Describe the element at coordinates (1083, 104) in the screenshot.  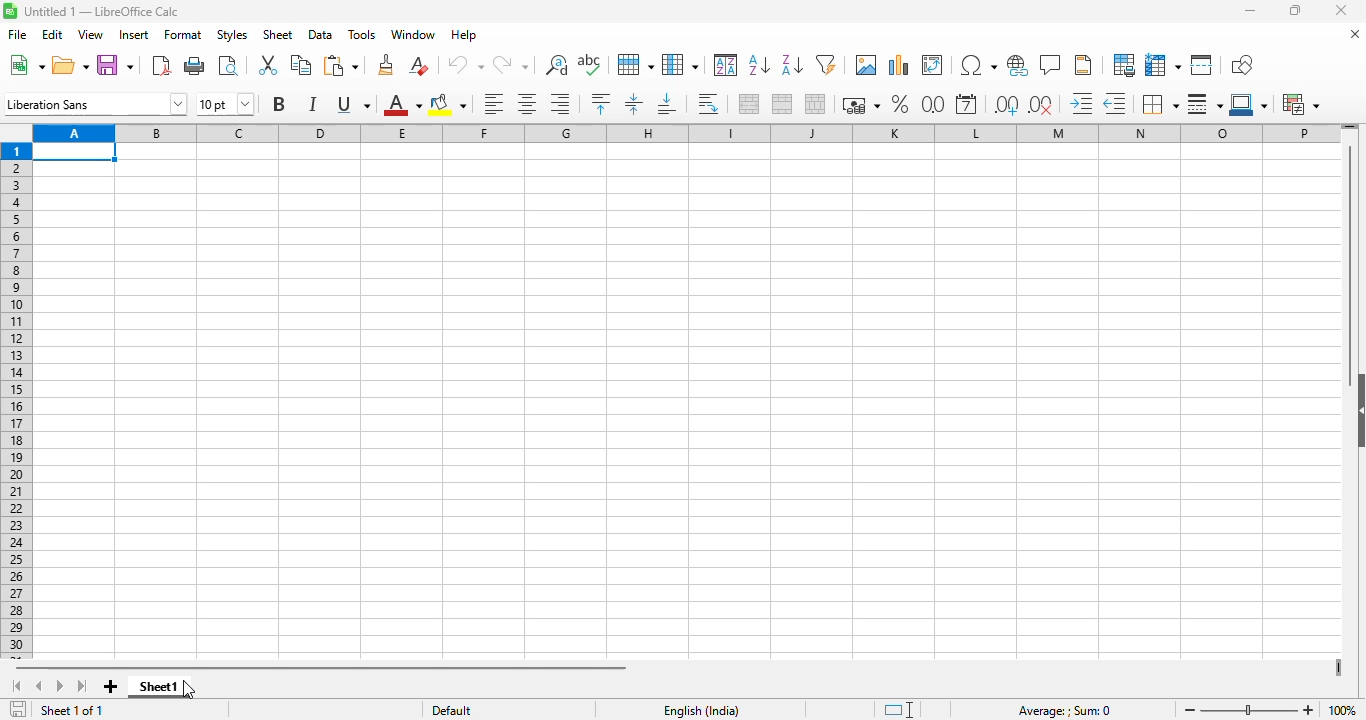
I see `increase indent` at that location.